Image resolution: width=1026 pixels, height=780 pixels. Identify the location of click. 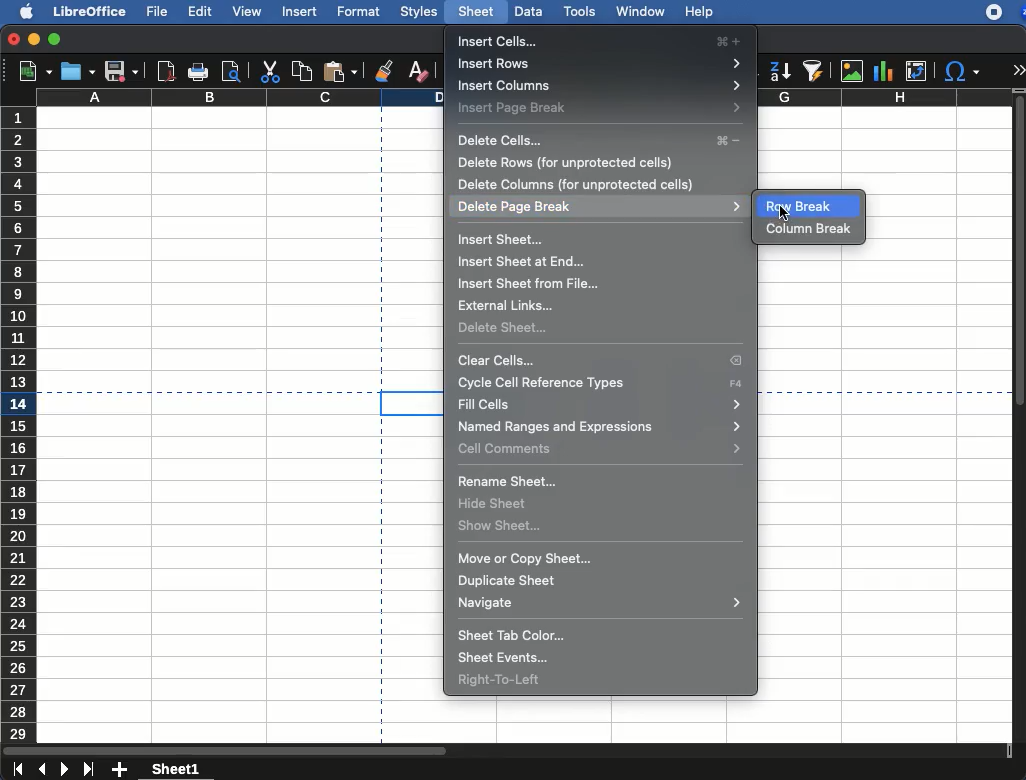
(785, 212).